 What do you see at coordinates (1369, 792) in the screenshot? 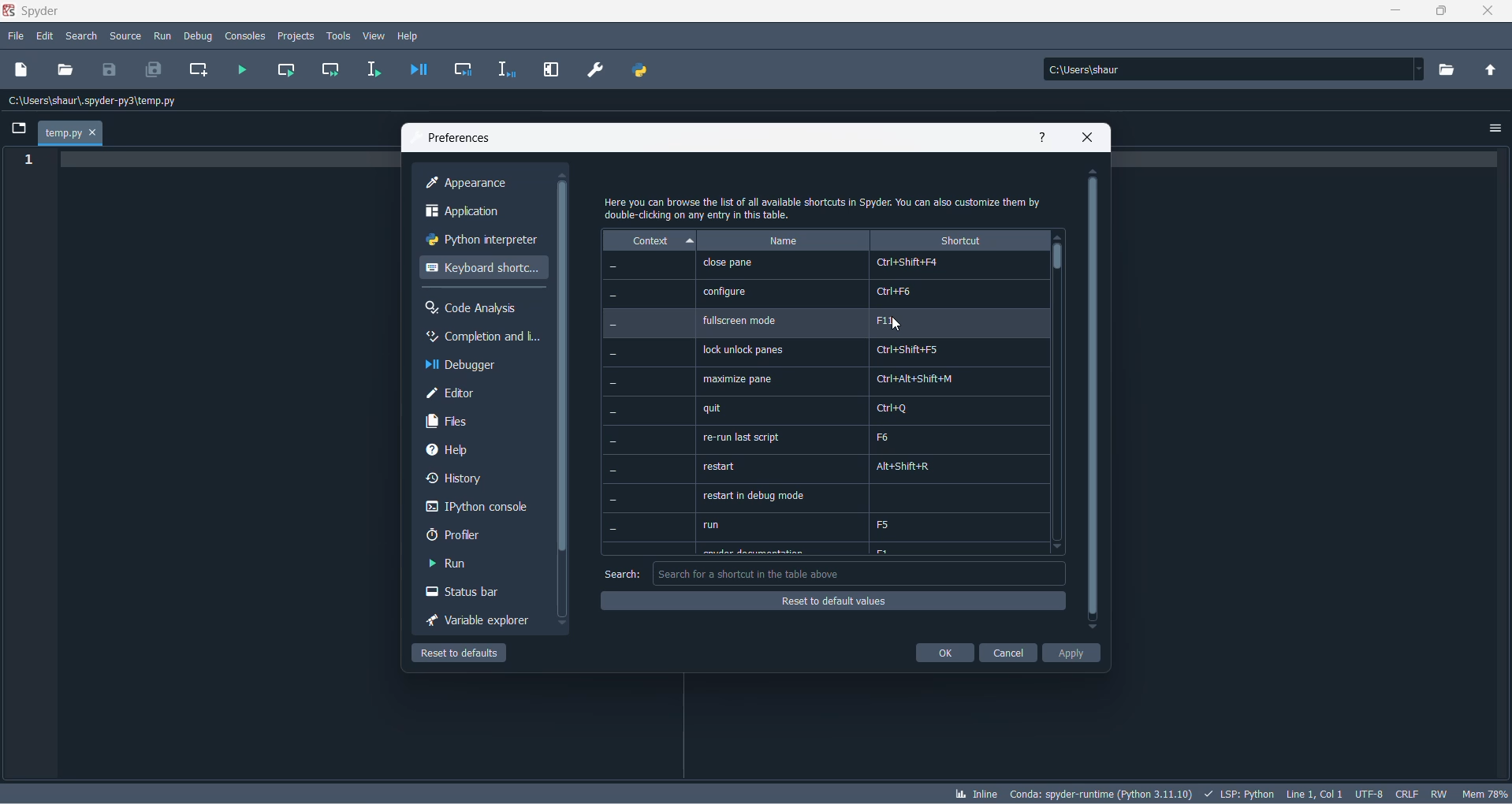
I see `charset` at bounding box center [1369, 792].